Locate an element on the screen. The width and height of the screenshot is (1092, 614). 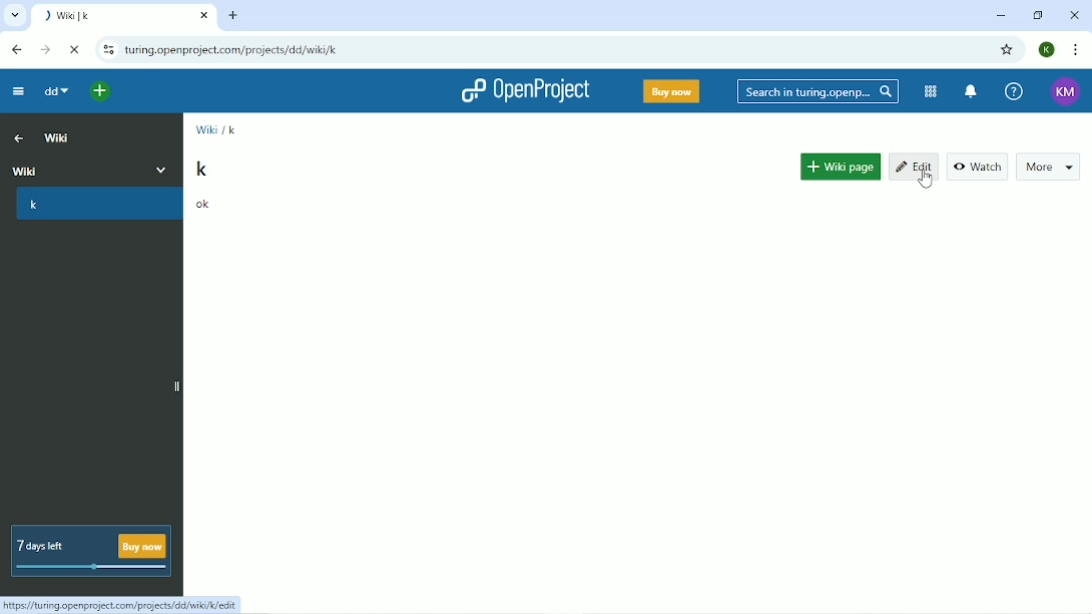
Wiki is located at coordinates (73, 169).